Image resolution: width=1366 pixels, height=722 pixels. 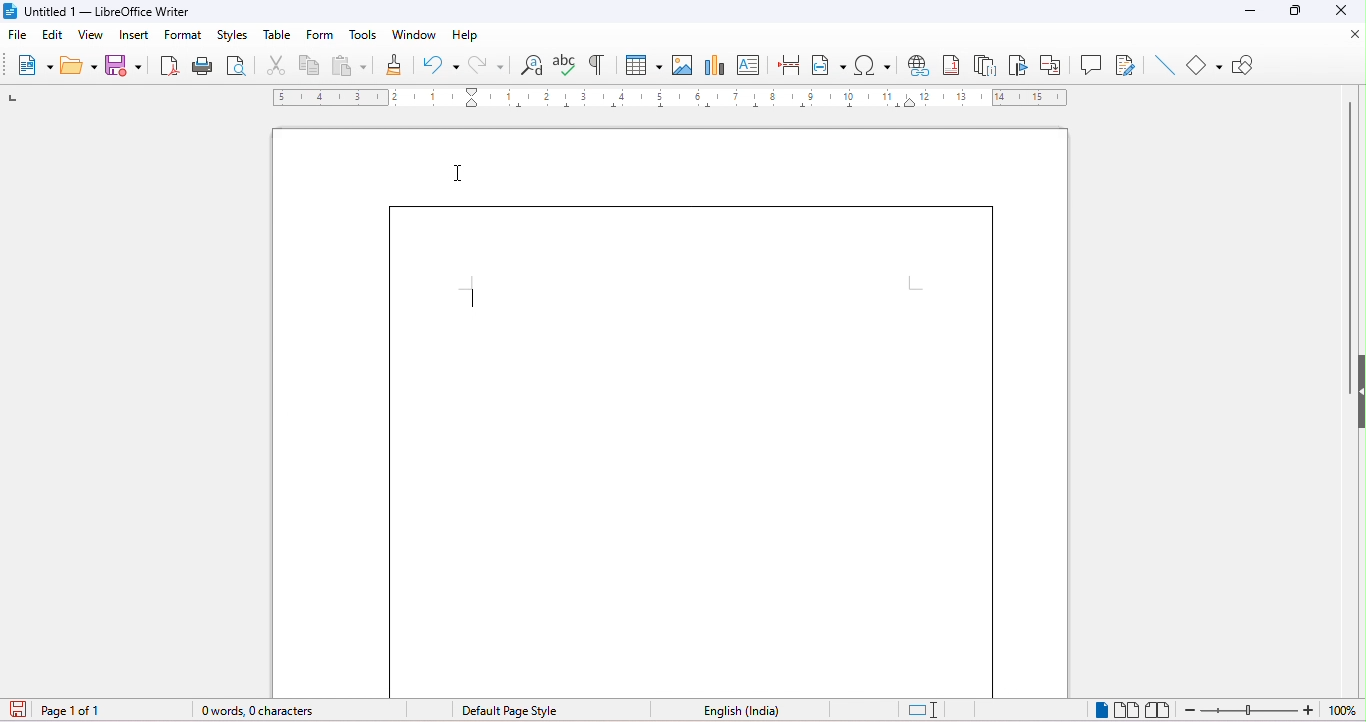 What do you see at coordinates (682, 64) in the screenshot?
I see `insert image` at bounding box center [682, 64].